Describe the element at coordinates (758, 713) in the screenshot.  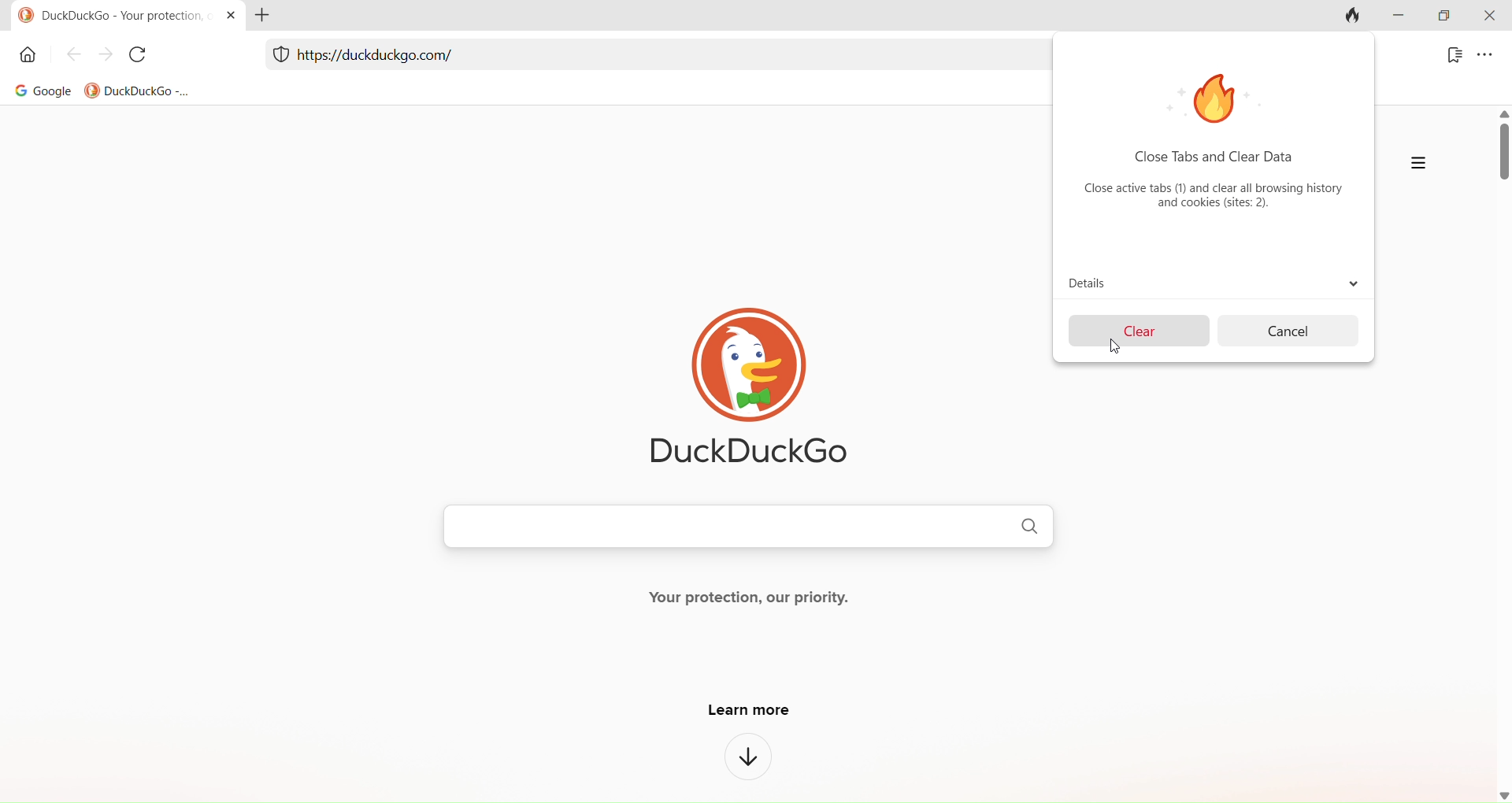
I see `learn more` at that location.